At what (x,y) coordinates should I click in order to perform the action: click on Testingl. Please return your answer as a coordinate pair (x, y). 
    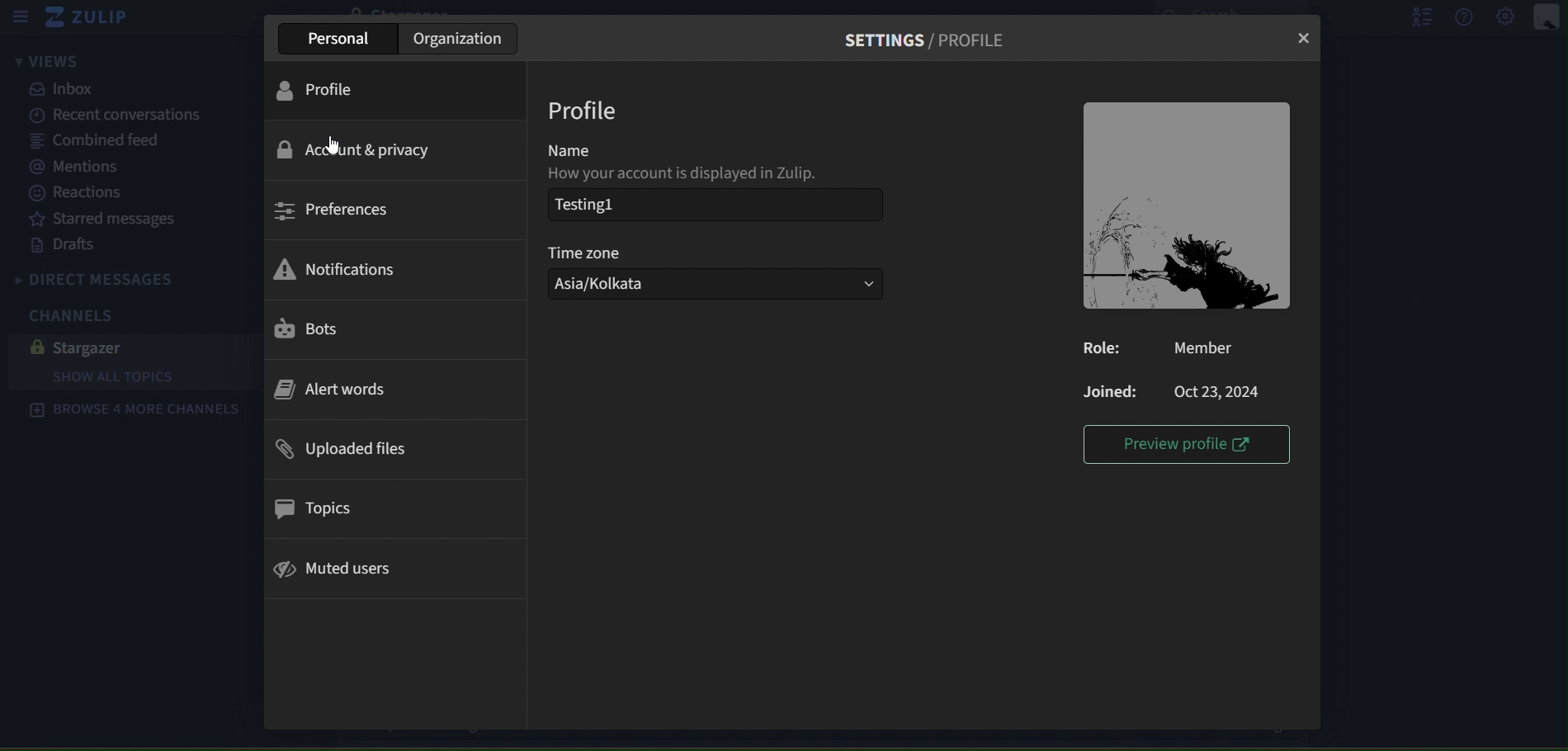
    Looking at the image, I should click on (585, 204).